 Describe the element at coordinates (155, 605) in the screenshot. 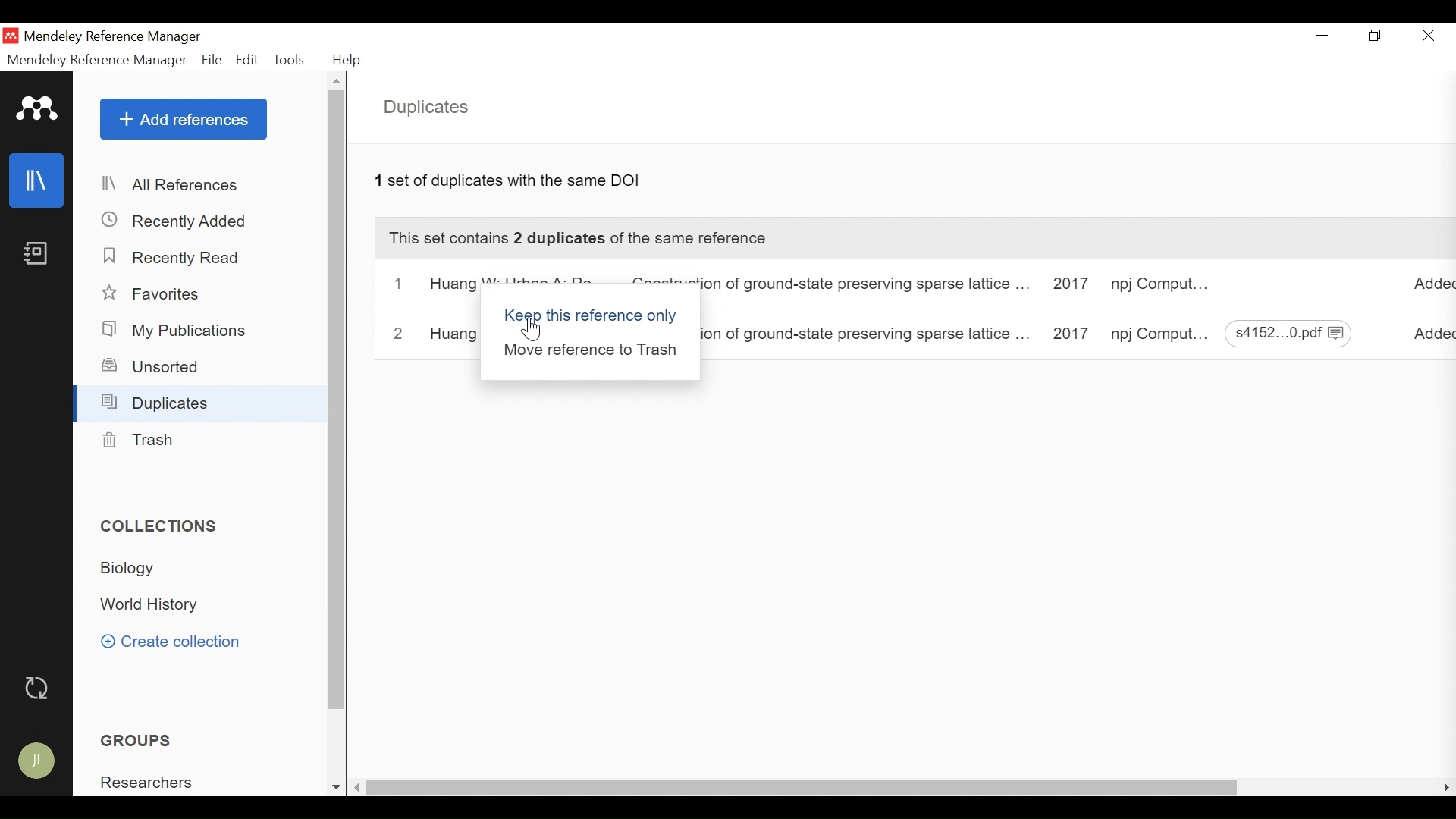

I see `Collection` at that location.